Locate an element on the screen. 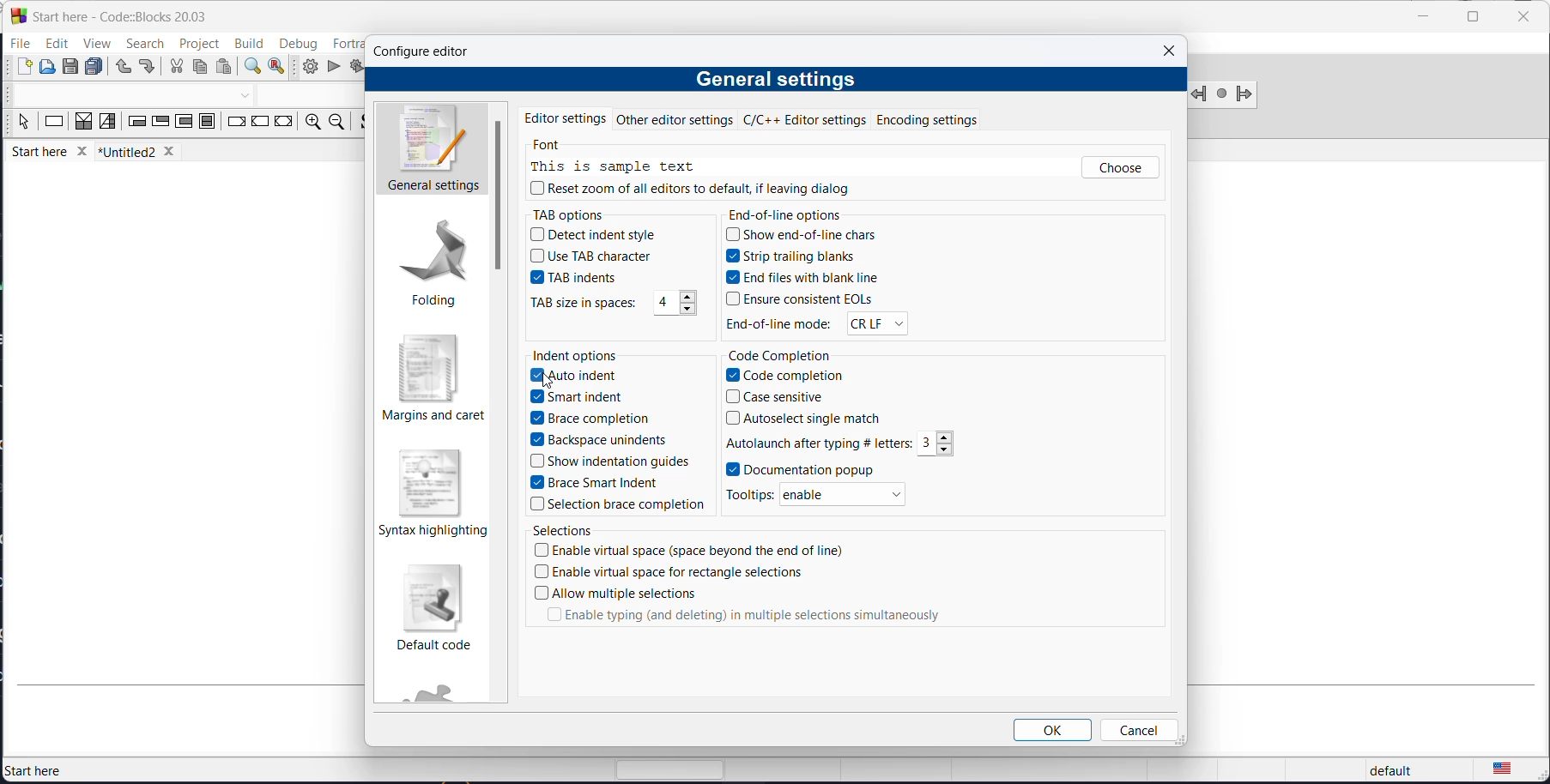  default is located at coordinates (1391, 767).